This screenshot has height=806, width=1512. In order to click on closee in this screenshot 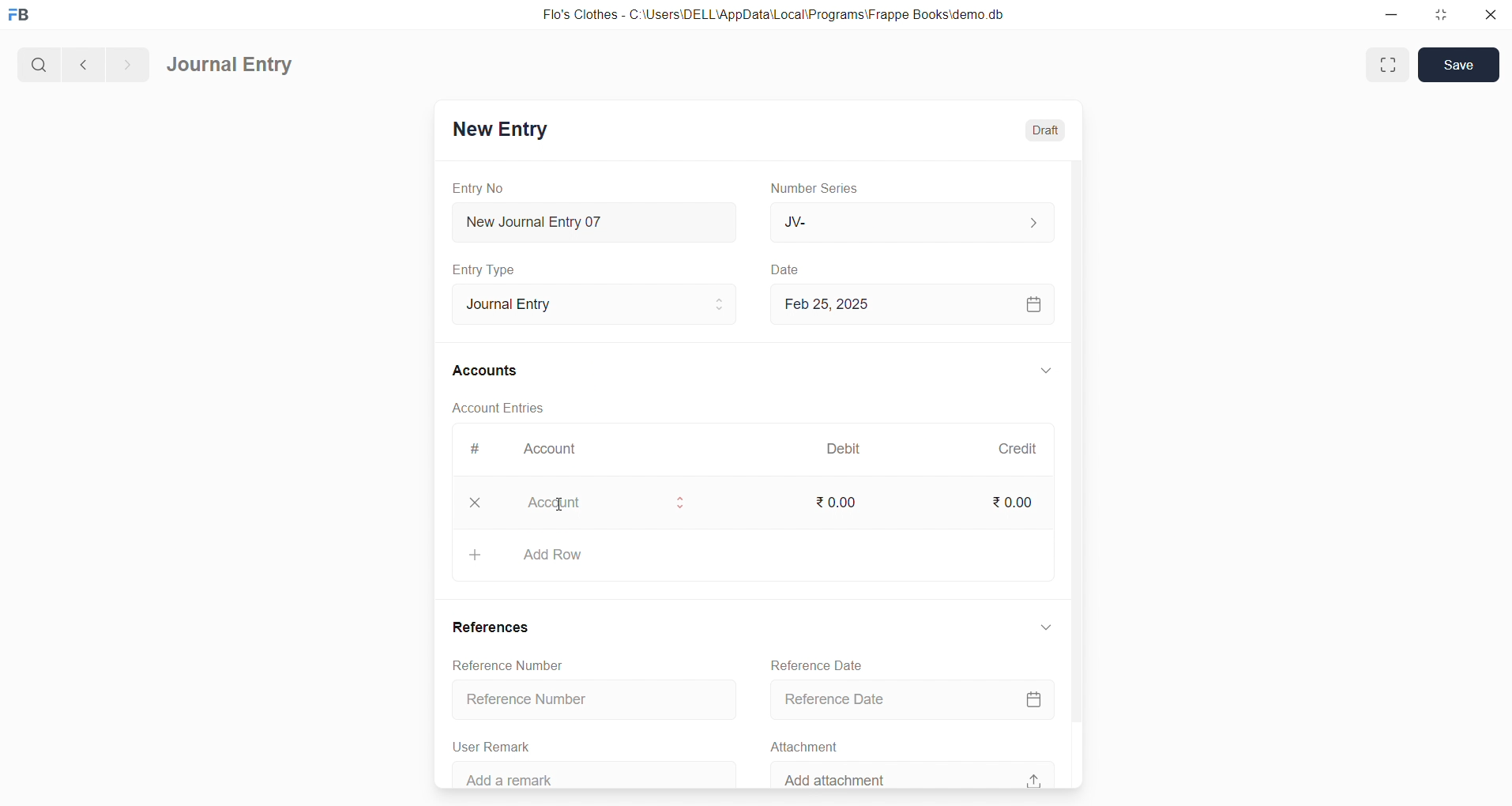, I will do `click(476, 503)`.